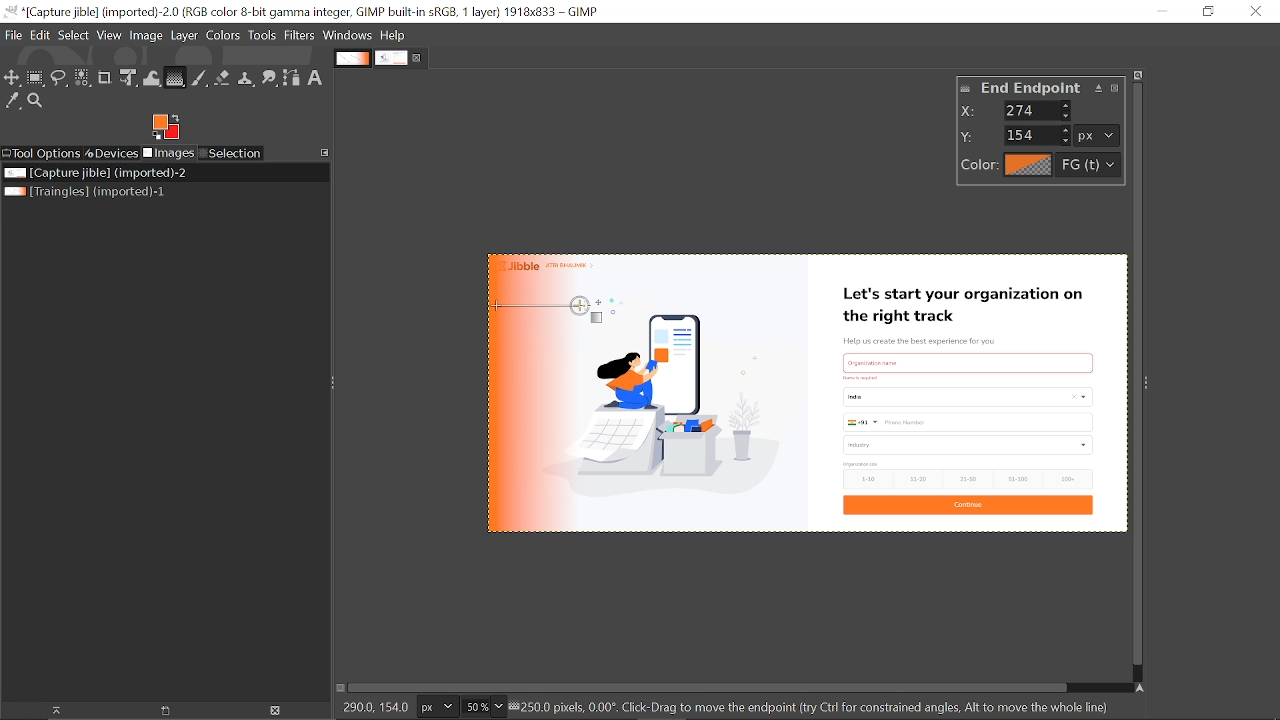 The width and height of the screenshot is (1280, 720). I want to click on Close, so click(1254, 11).